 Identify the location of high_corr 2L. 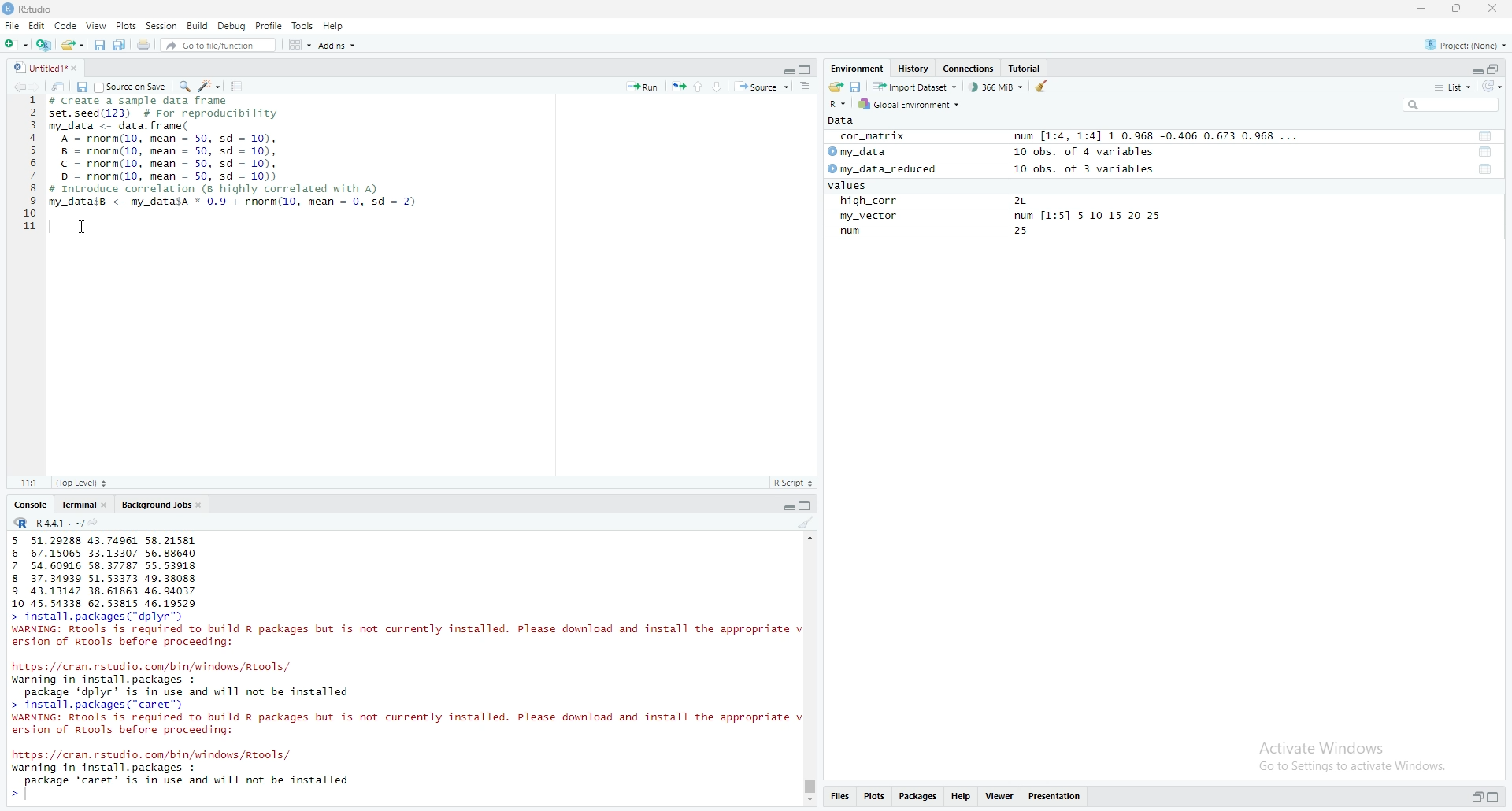
(943, 202).